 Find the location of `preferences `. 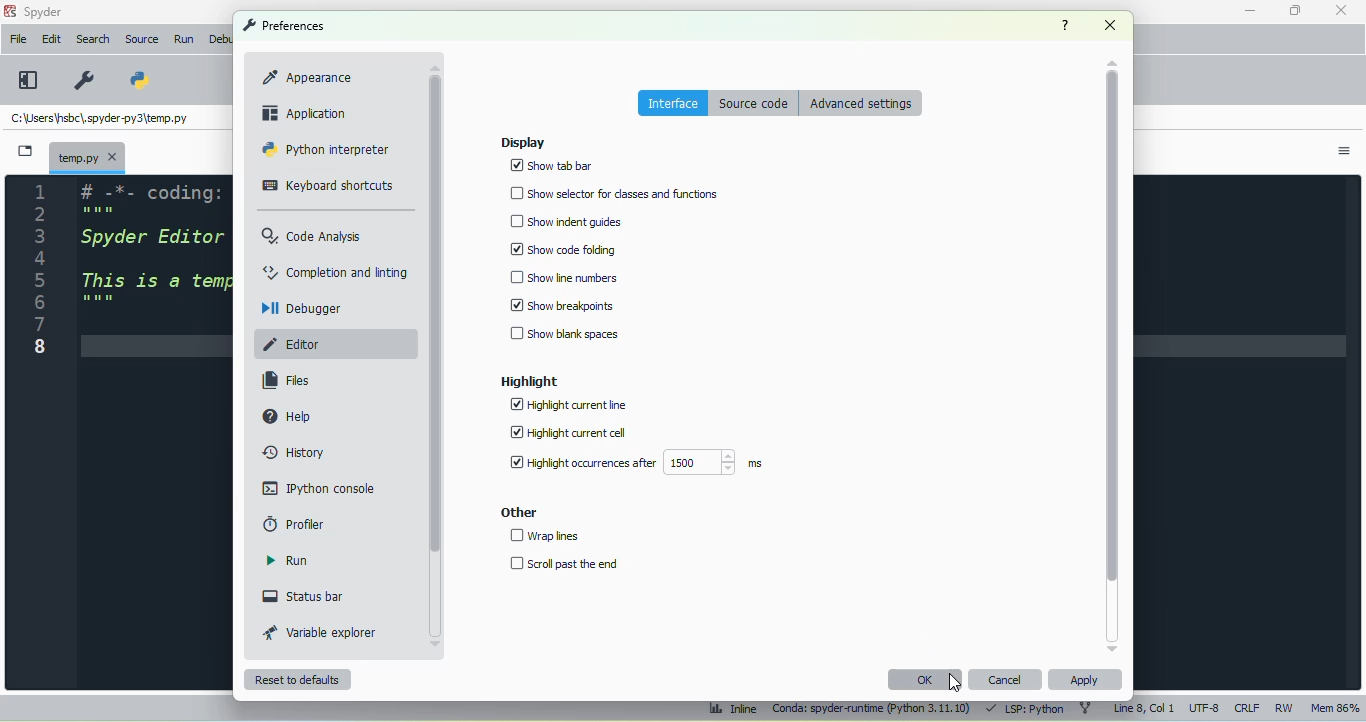

preferences  is located at coordinates (82, 79).